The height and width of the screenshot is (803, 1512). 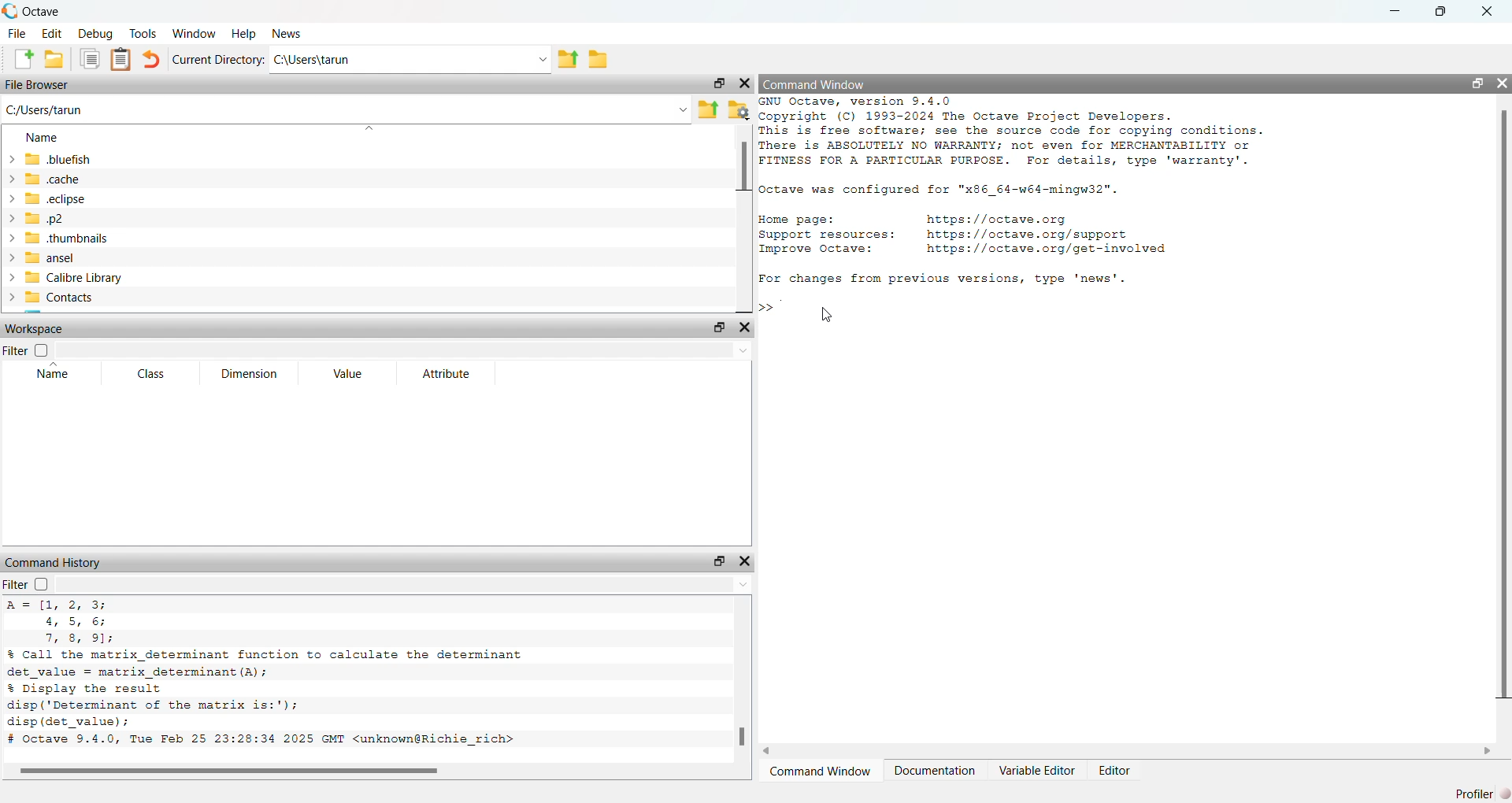 What do you see at coordinates (39, 219) in the screenshot?
I see `.p2` at bounding box center [39, 219].